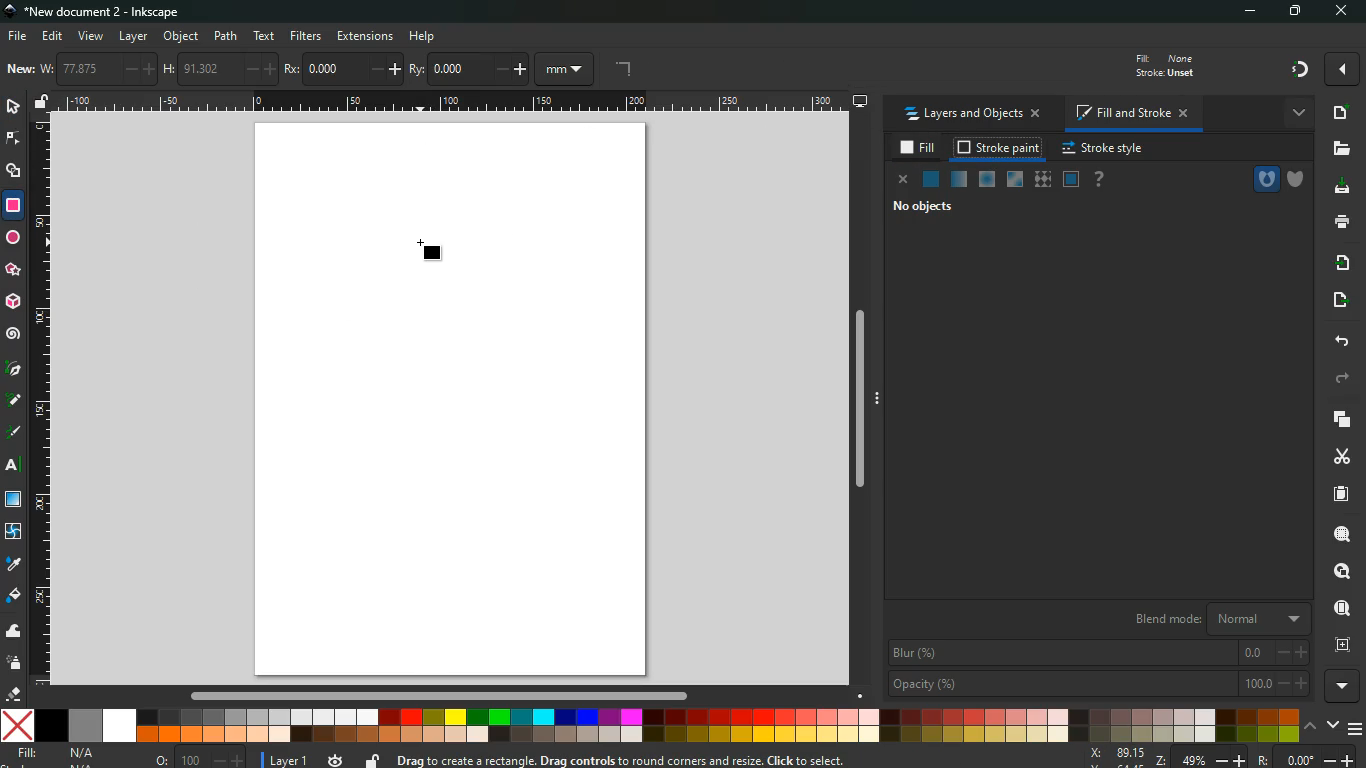 The image size is (1366, 768). Describe the element at coordinates (14, 664) in the screenshot. I see `spray` at that location.